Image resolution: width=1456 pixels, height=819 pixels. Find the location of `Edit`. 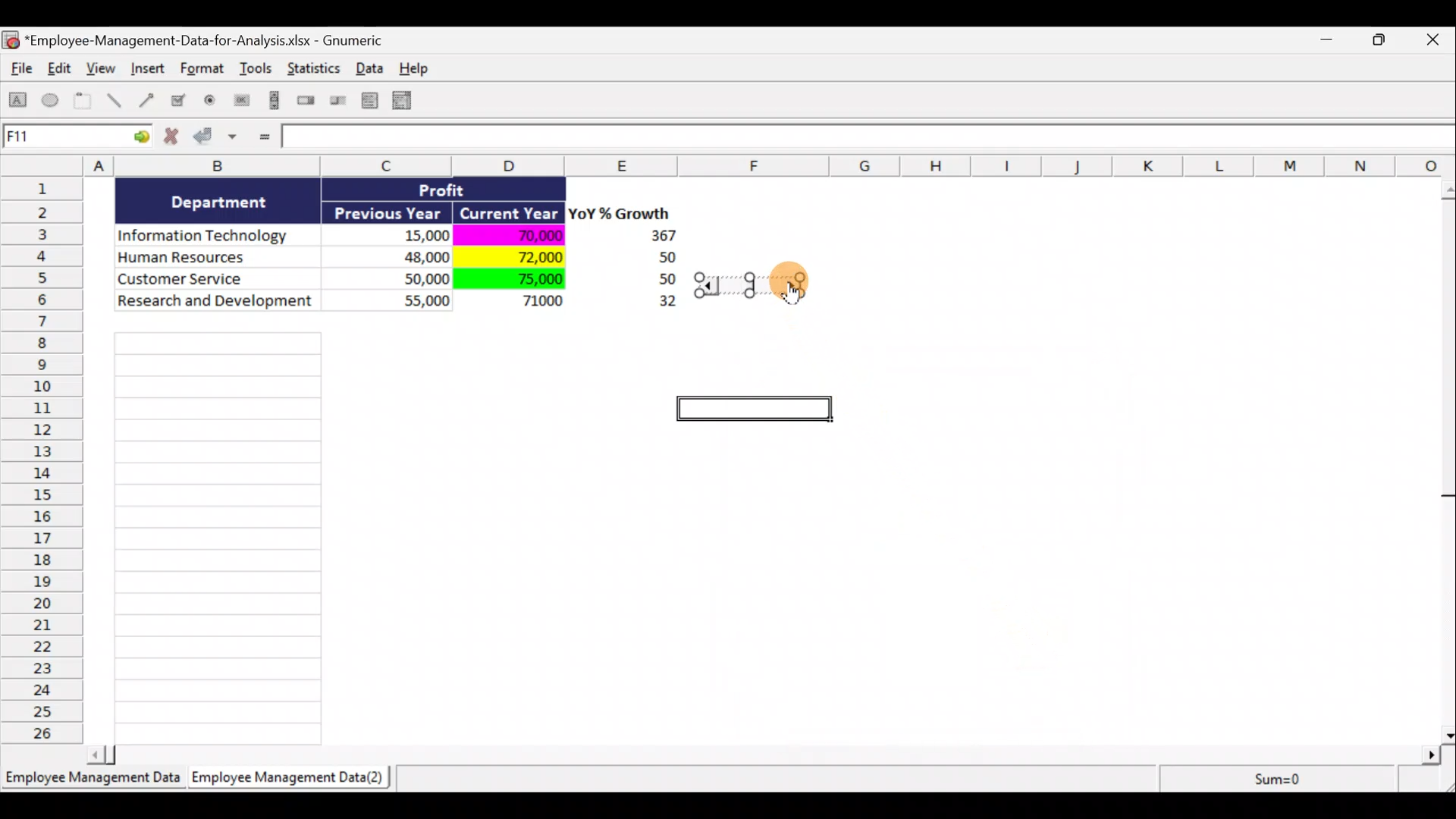

Edit is located at coordinates (61, 70).